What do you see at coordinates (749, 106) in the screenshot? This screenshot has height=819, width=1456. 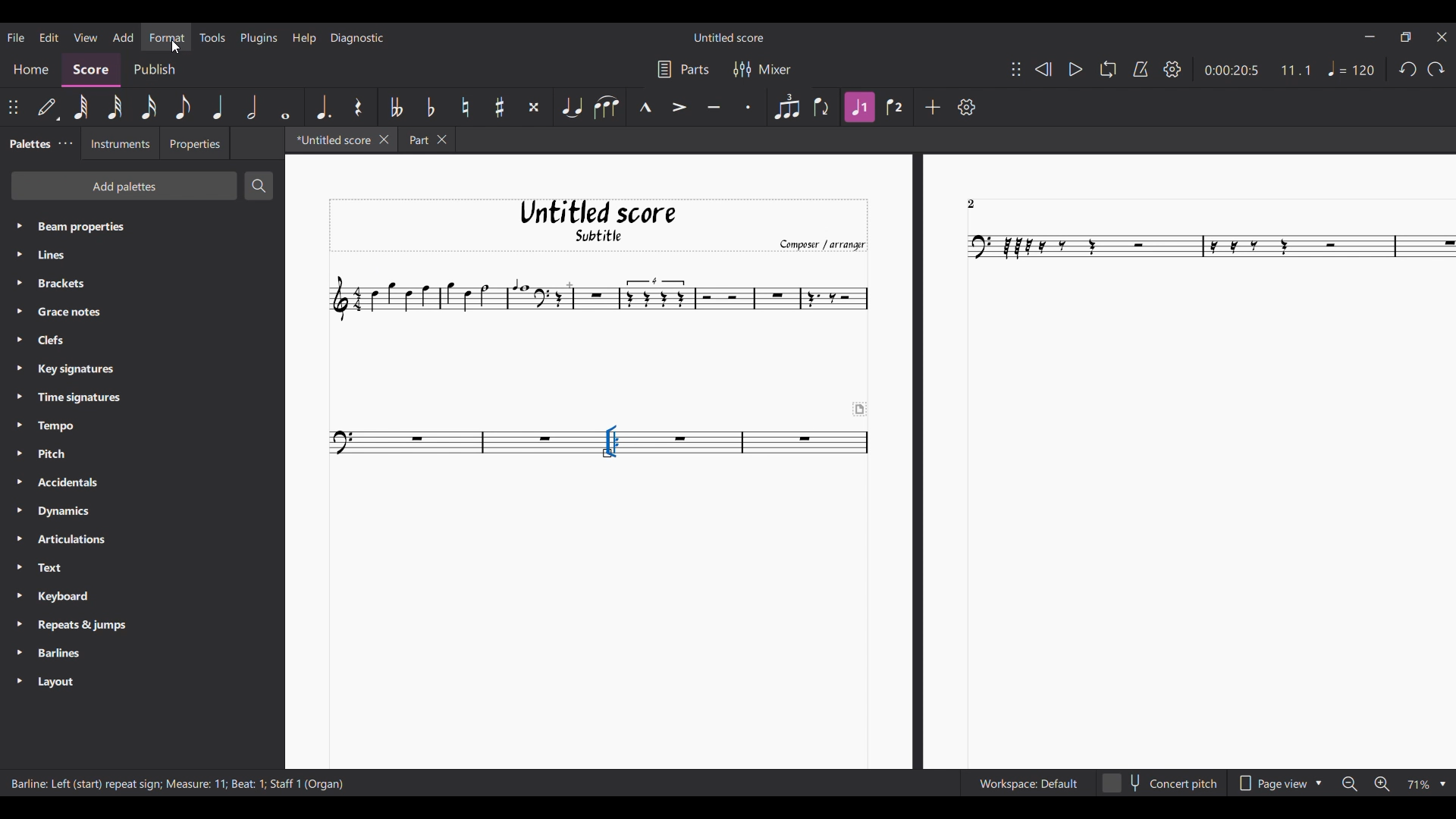 I see `Staccato` at bounding box center [749, 106].